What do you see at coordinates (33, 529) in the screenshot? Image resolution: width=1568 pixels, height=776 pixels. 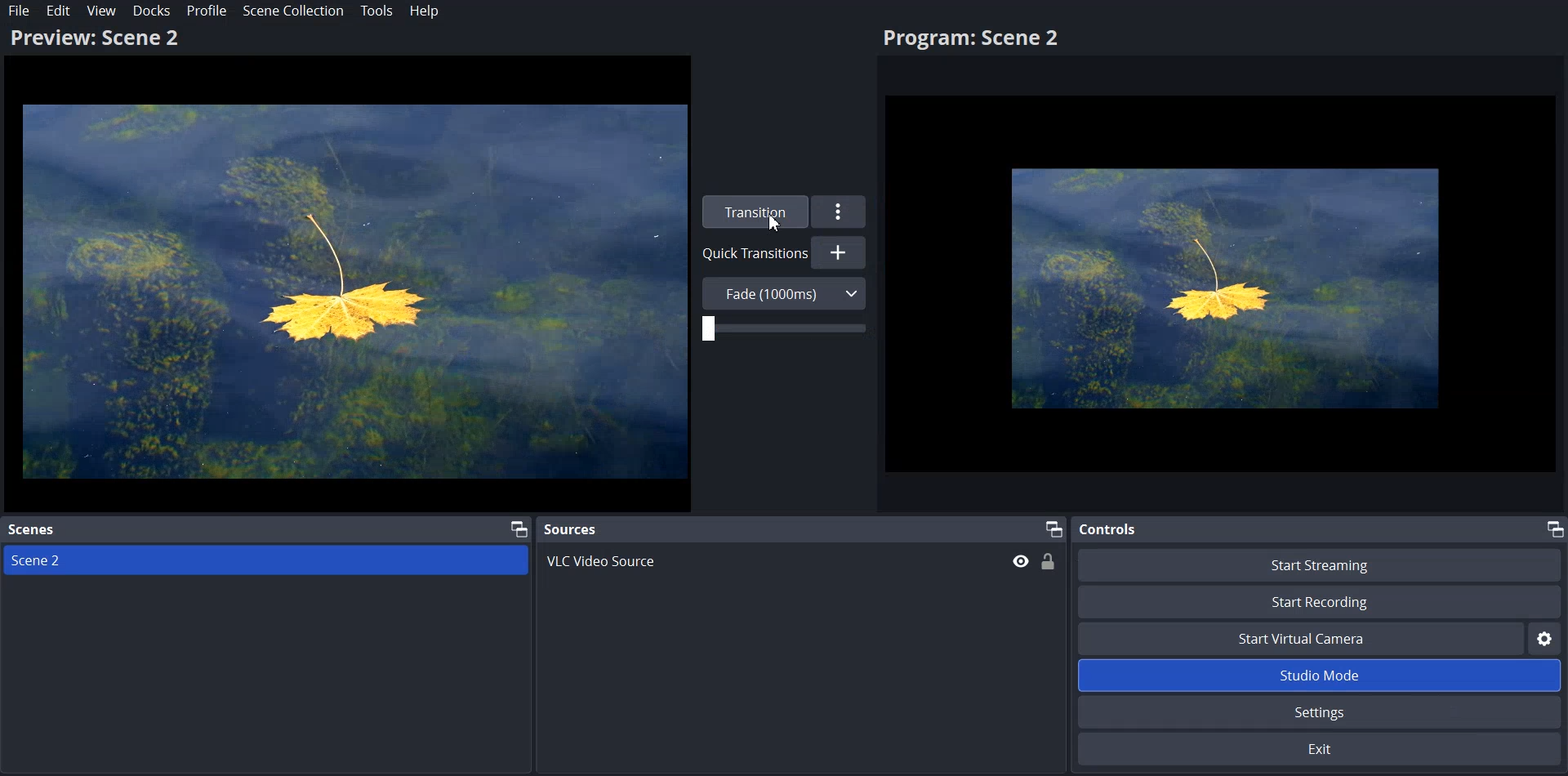 I see `Scenes` at bounding box center [33, 529].